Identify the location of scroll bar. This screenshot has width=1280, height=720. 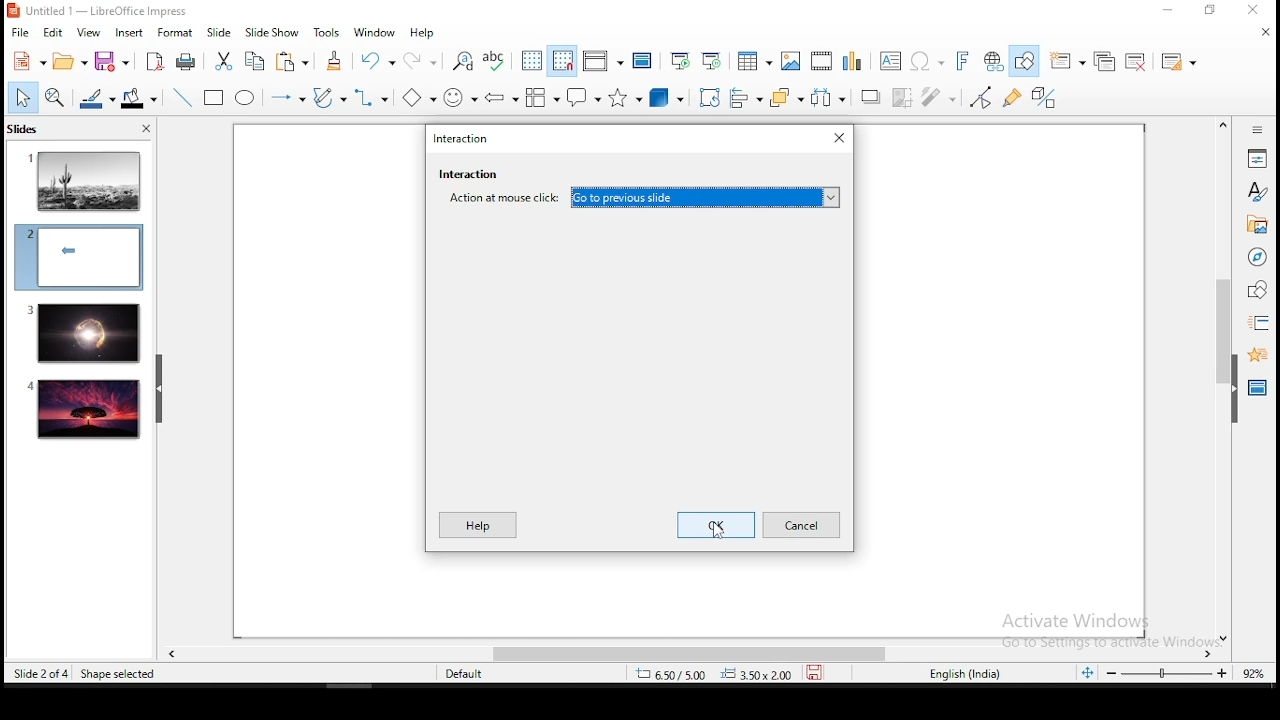
(1220, 380).